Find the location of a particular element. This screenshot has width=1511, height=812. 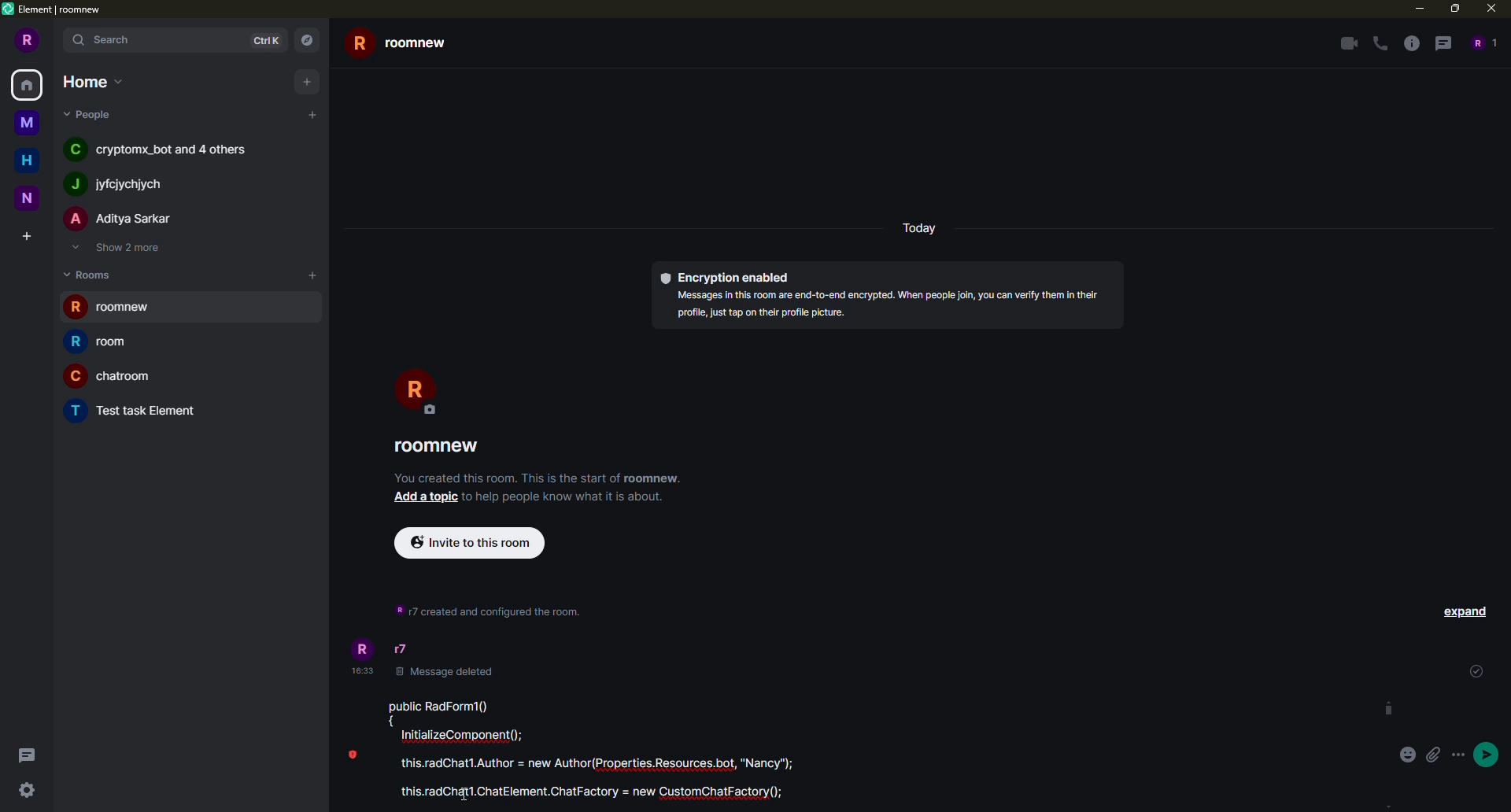

send is located at coordinates (1487, 754).